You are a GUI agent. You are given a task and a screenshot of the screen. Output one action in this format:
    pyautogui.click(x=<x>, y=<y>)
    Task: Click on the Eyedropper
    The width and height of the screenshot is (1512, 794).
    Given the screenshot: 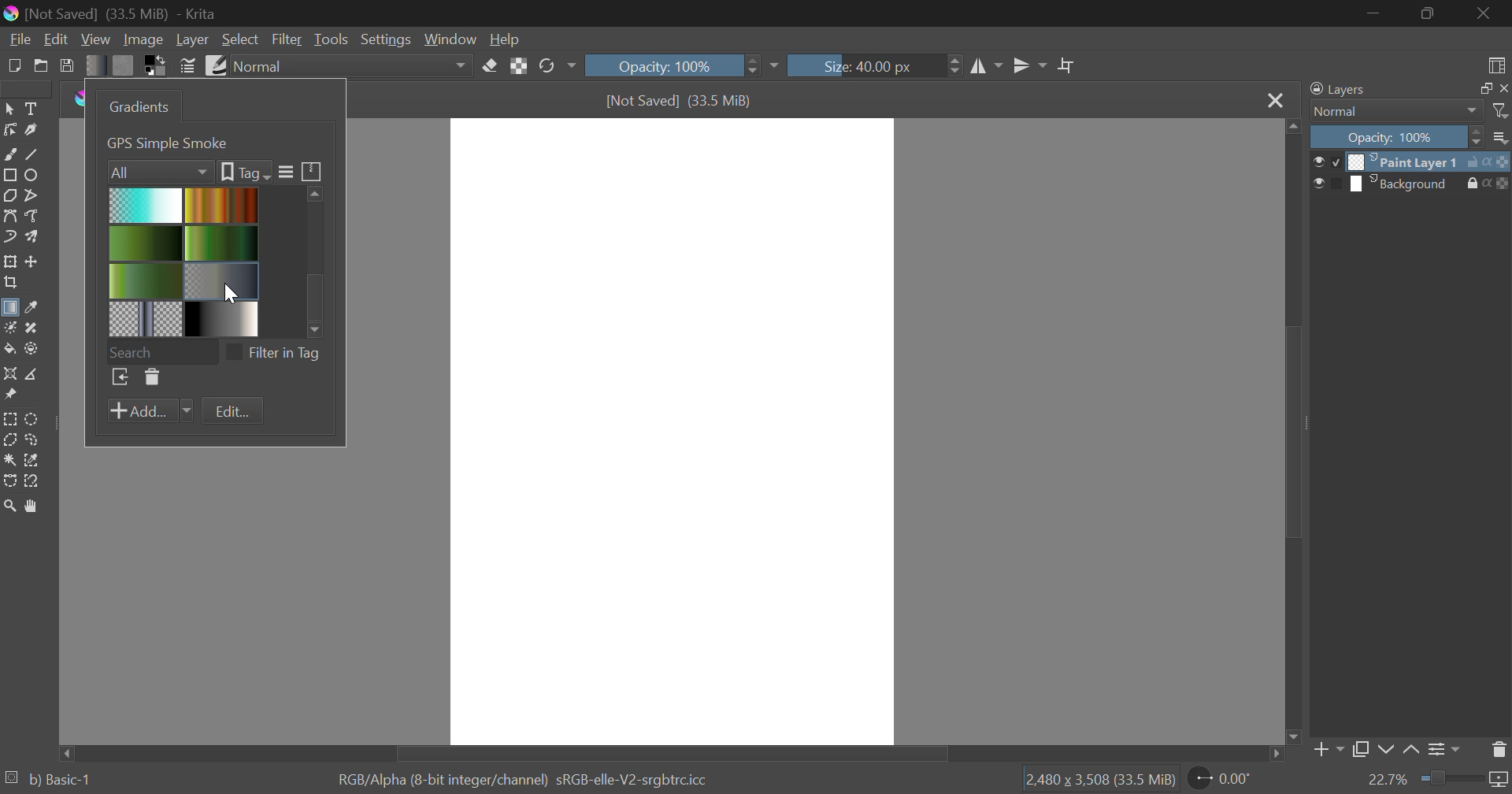 What is the action you would take?
    pyautogui.click(x=30, y=309)
    